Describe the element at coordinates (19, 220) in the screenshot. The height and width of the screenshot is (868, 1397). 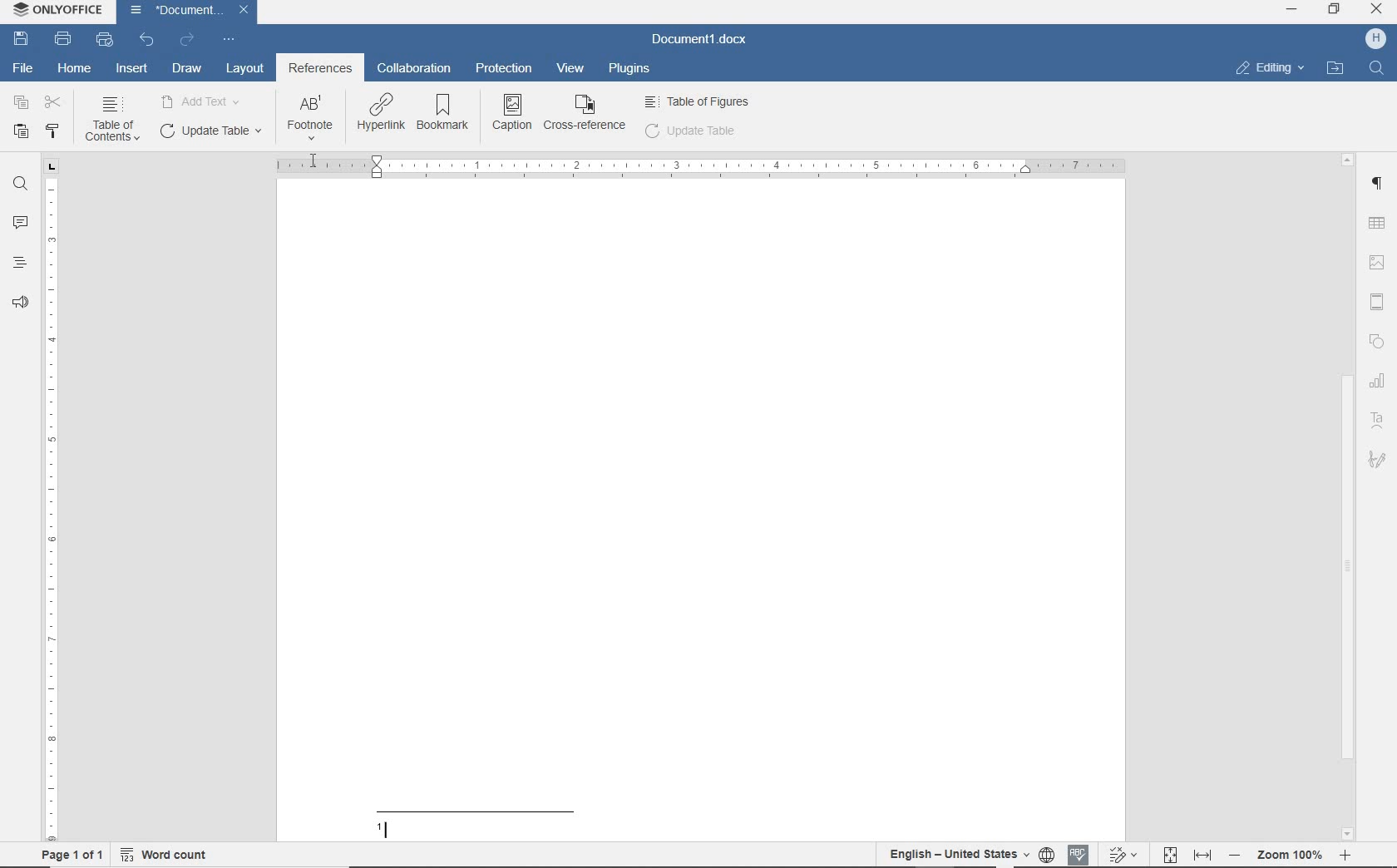
I see `comments` at that location.